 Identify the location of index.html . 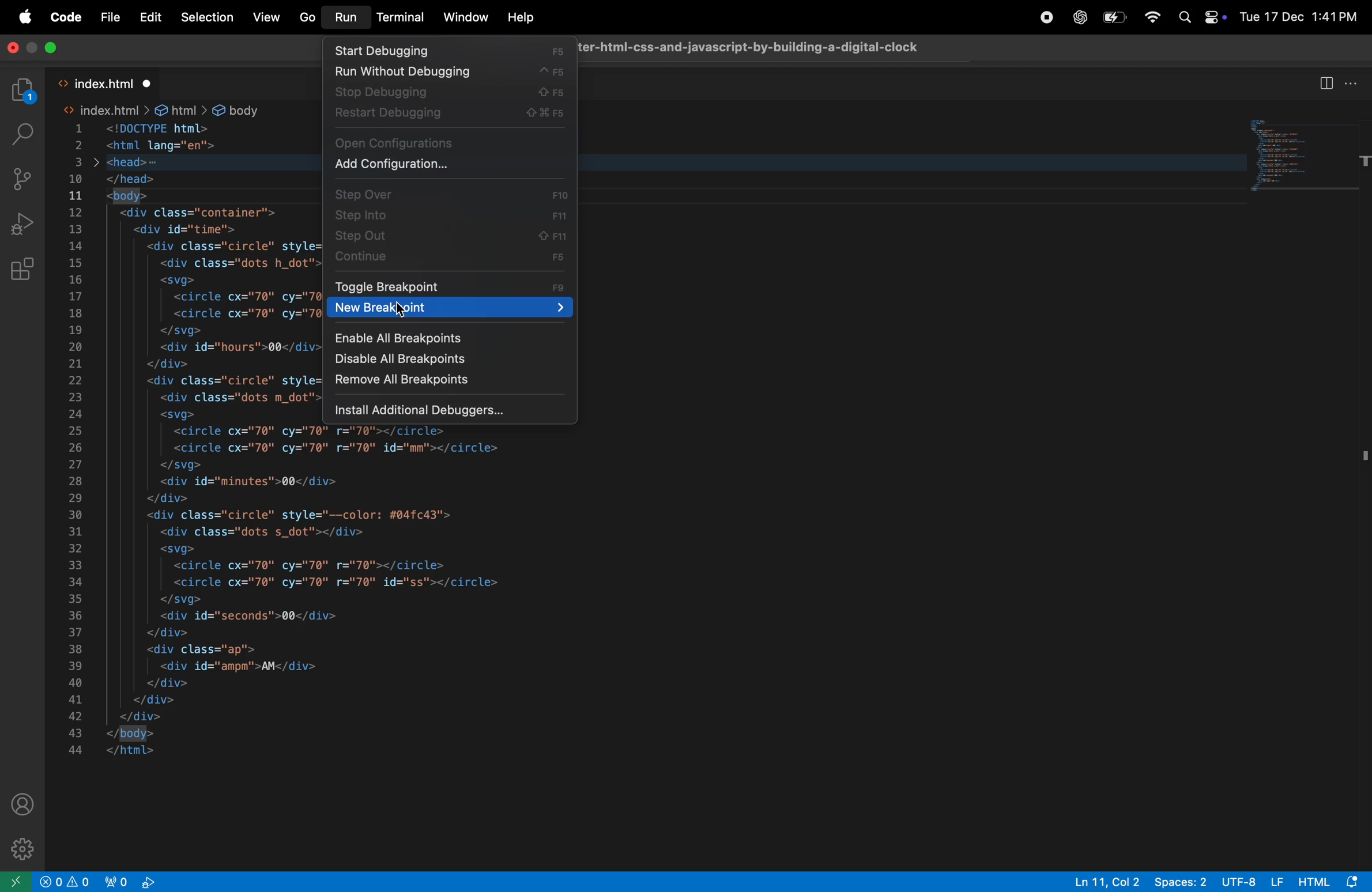
(108, 82).